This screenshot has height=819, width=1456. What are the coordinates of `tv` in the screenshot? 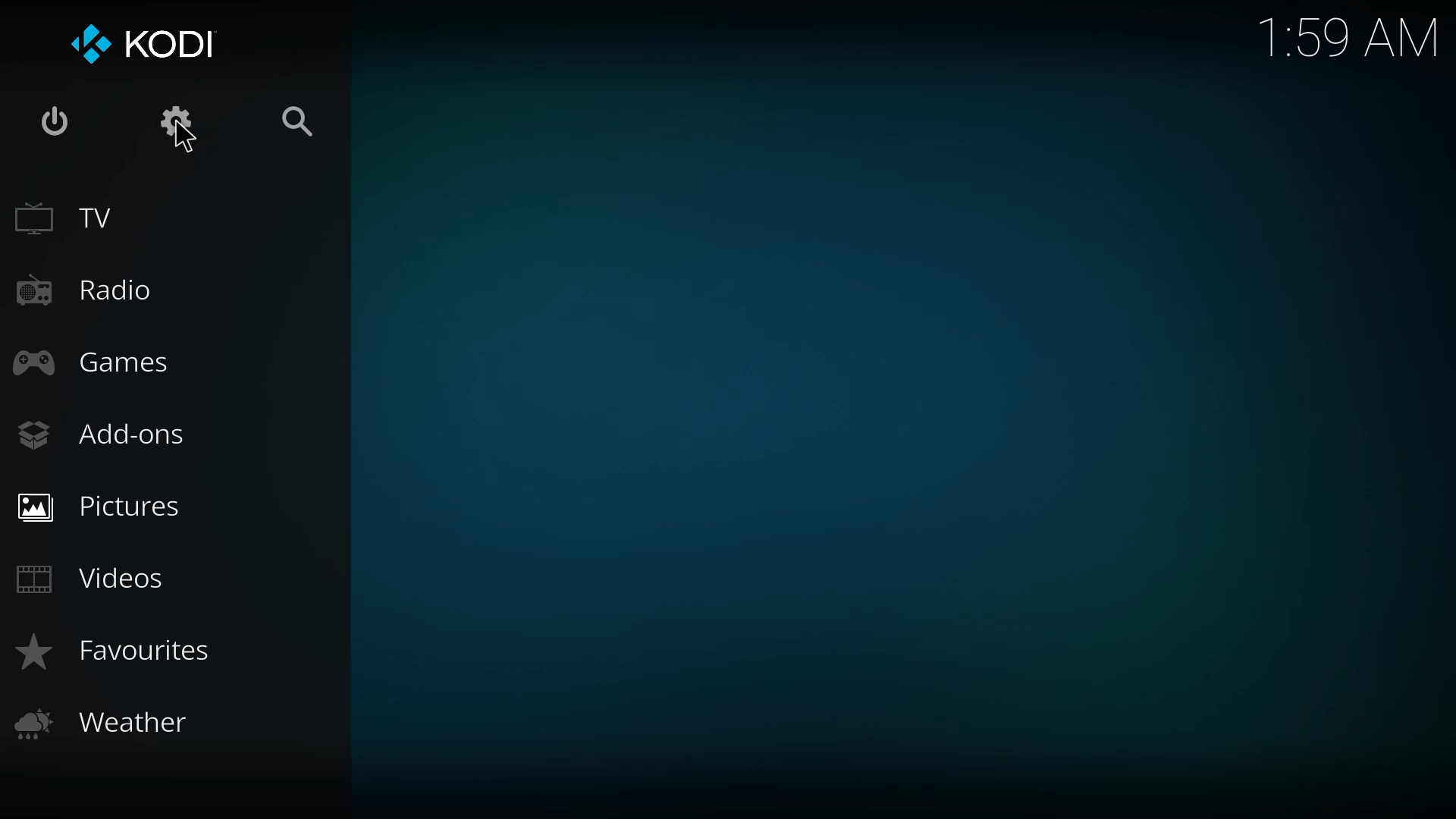 It's located at (79, 218).